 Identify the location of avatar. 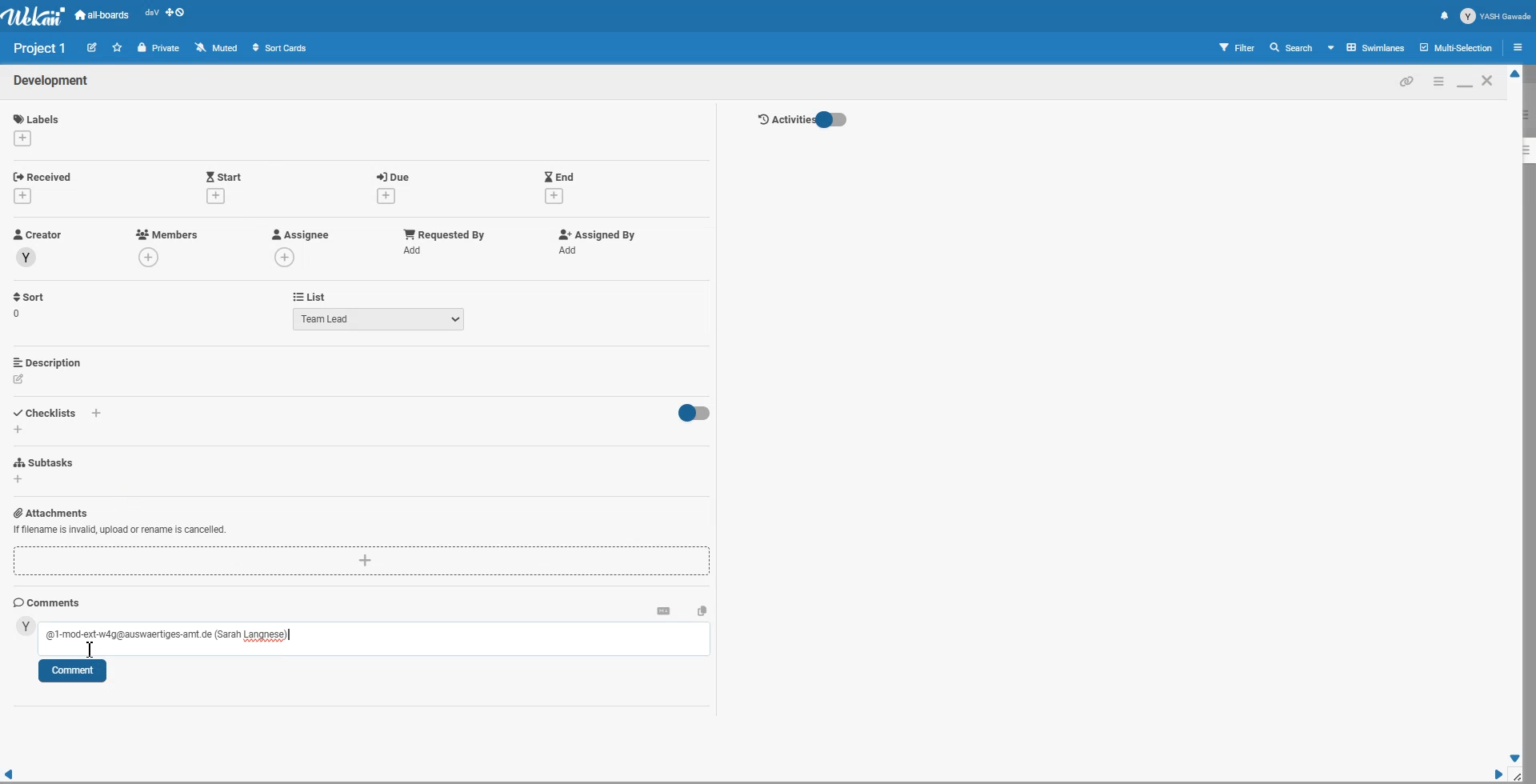
(26, 626).